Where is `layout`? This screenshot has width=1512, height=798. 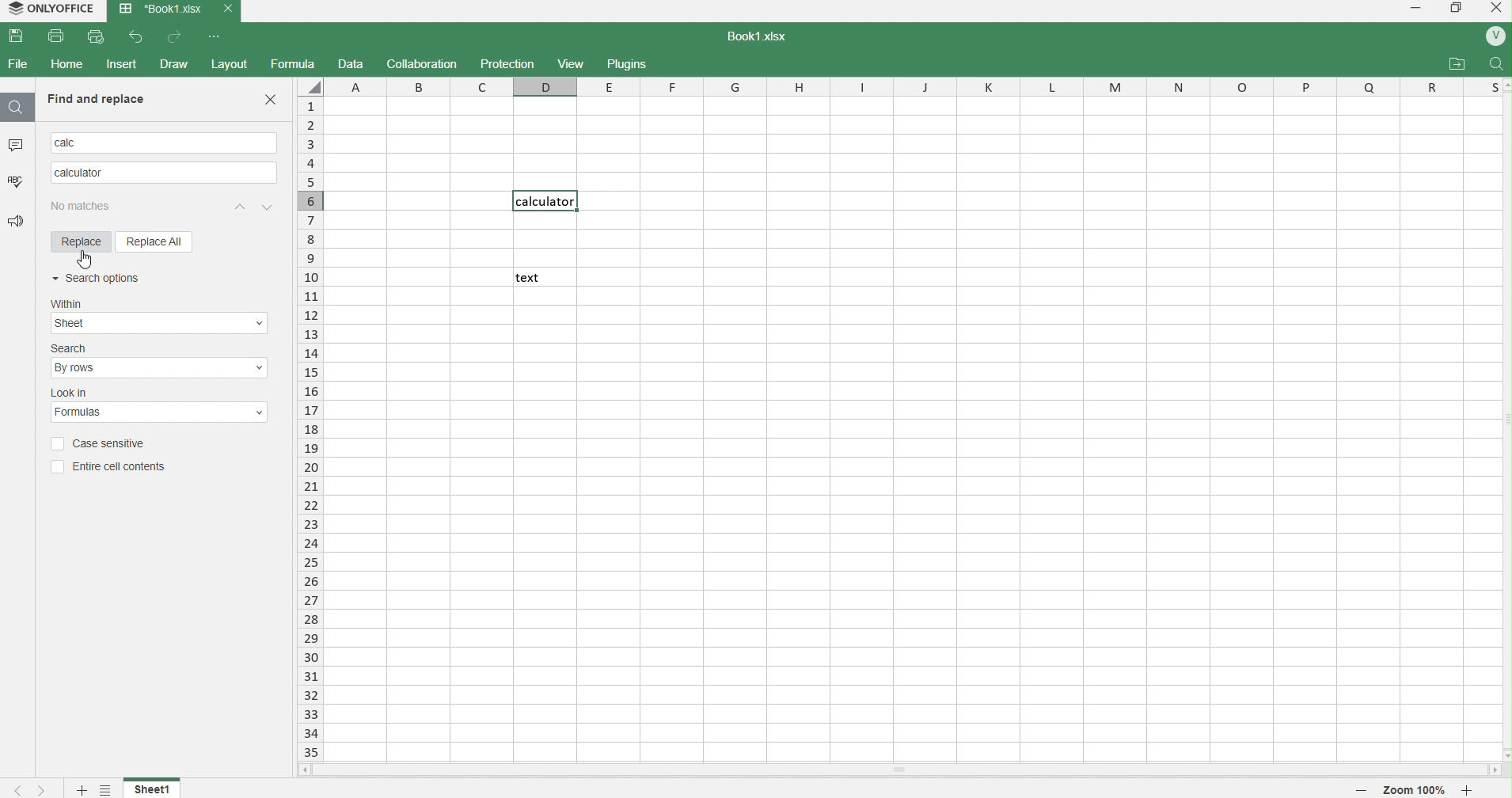 layout is located at coordinates (232, 63).